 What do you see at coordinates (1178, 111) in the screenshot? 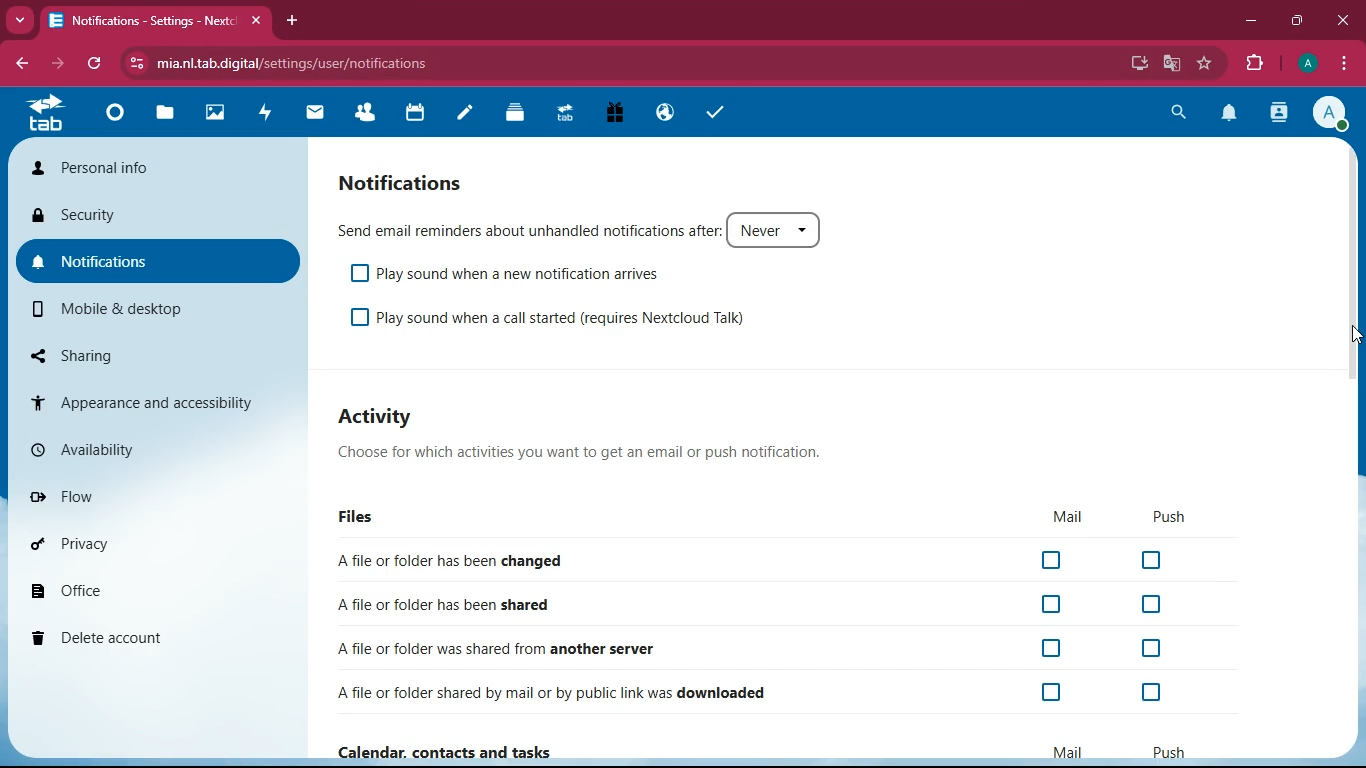
I see `search` at bounding box center [1178, 111].